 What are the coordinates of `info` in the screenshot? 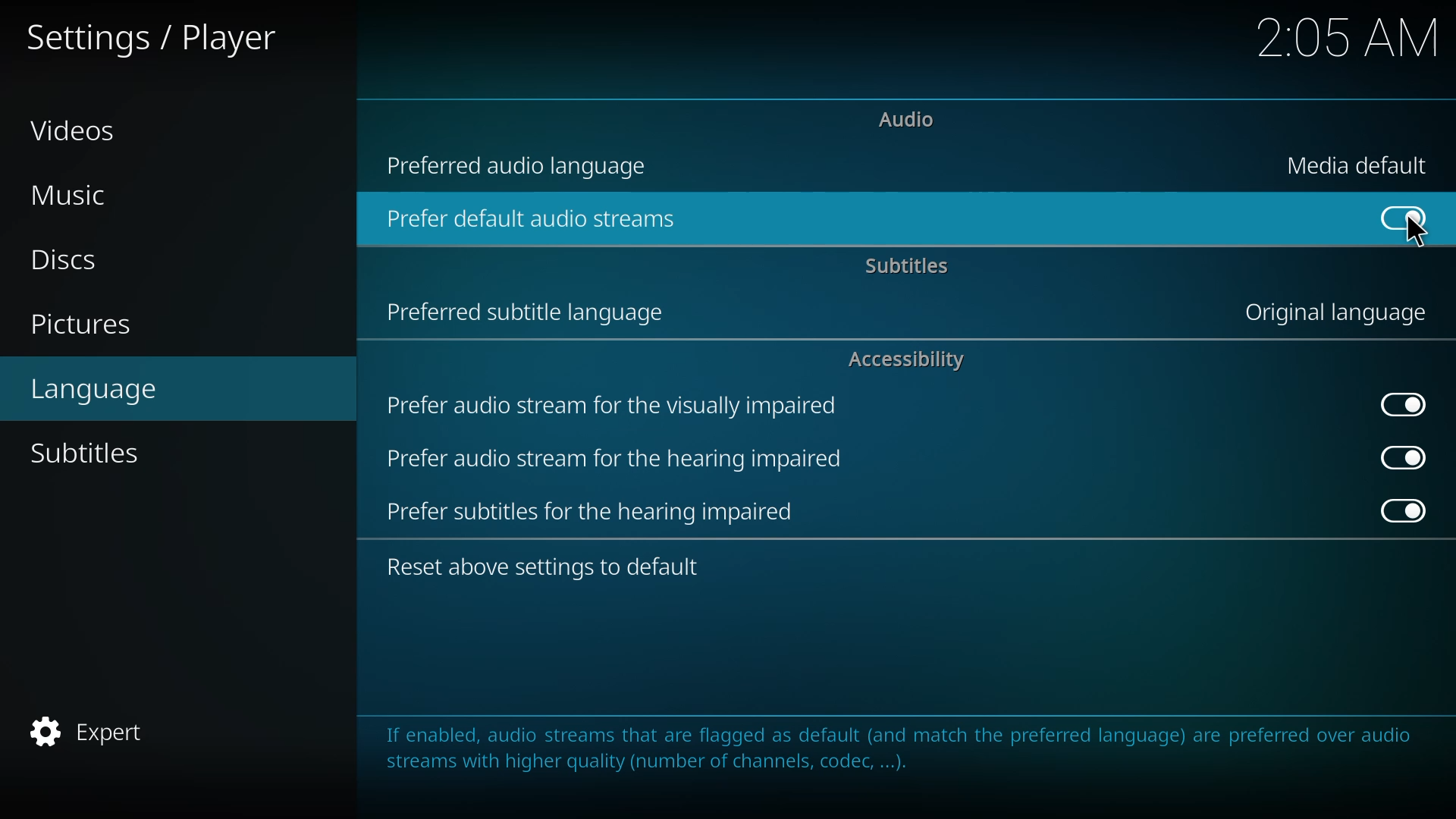 It's located at (910, 752).